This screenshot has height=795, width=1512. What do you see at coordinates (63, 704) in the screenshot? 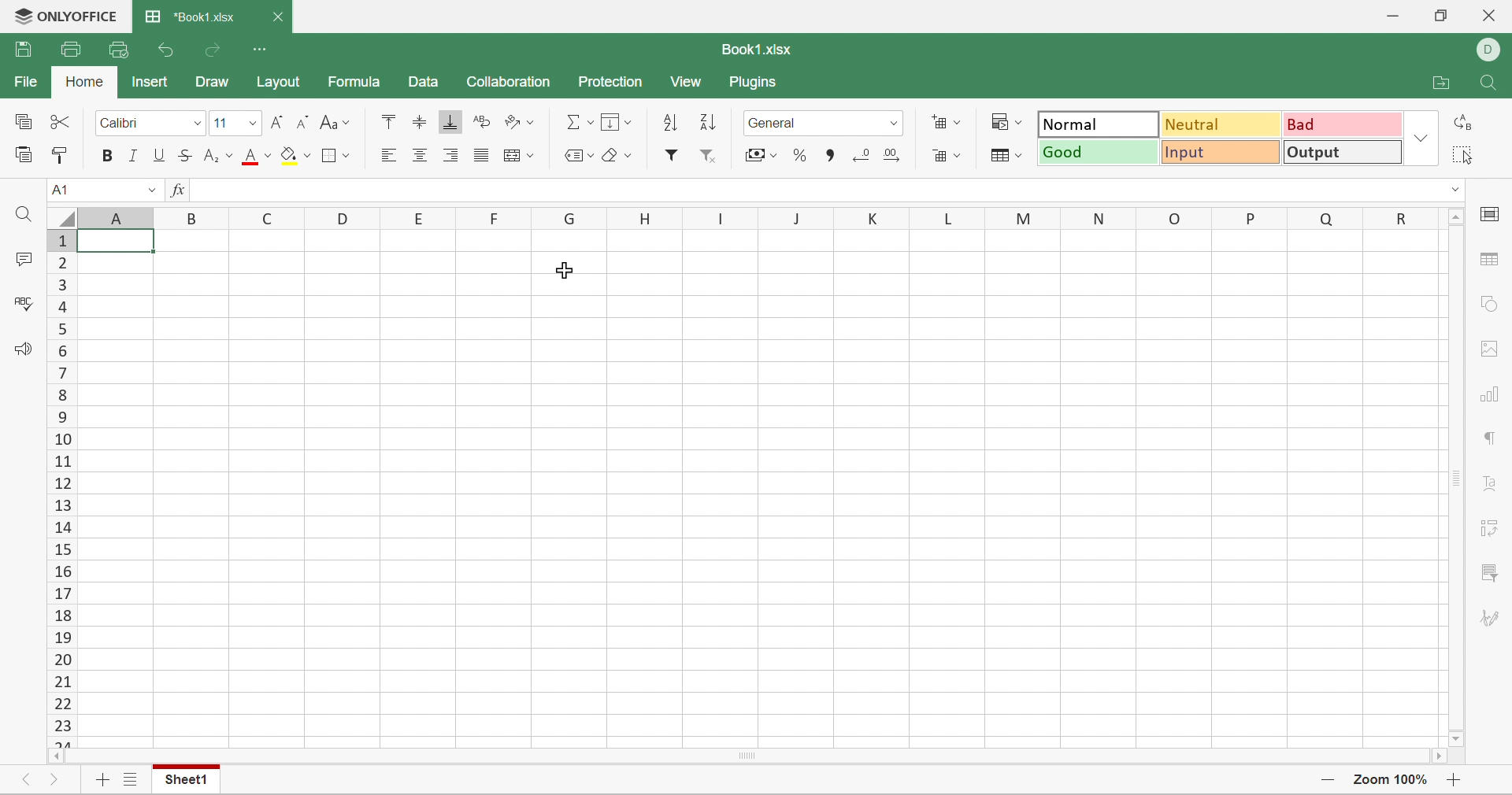
I see `22` at bounding box center [63, 704].